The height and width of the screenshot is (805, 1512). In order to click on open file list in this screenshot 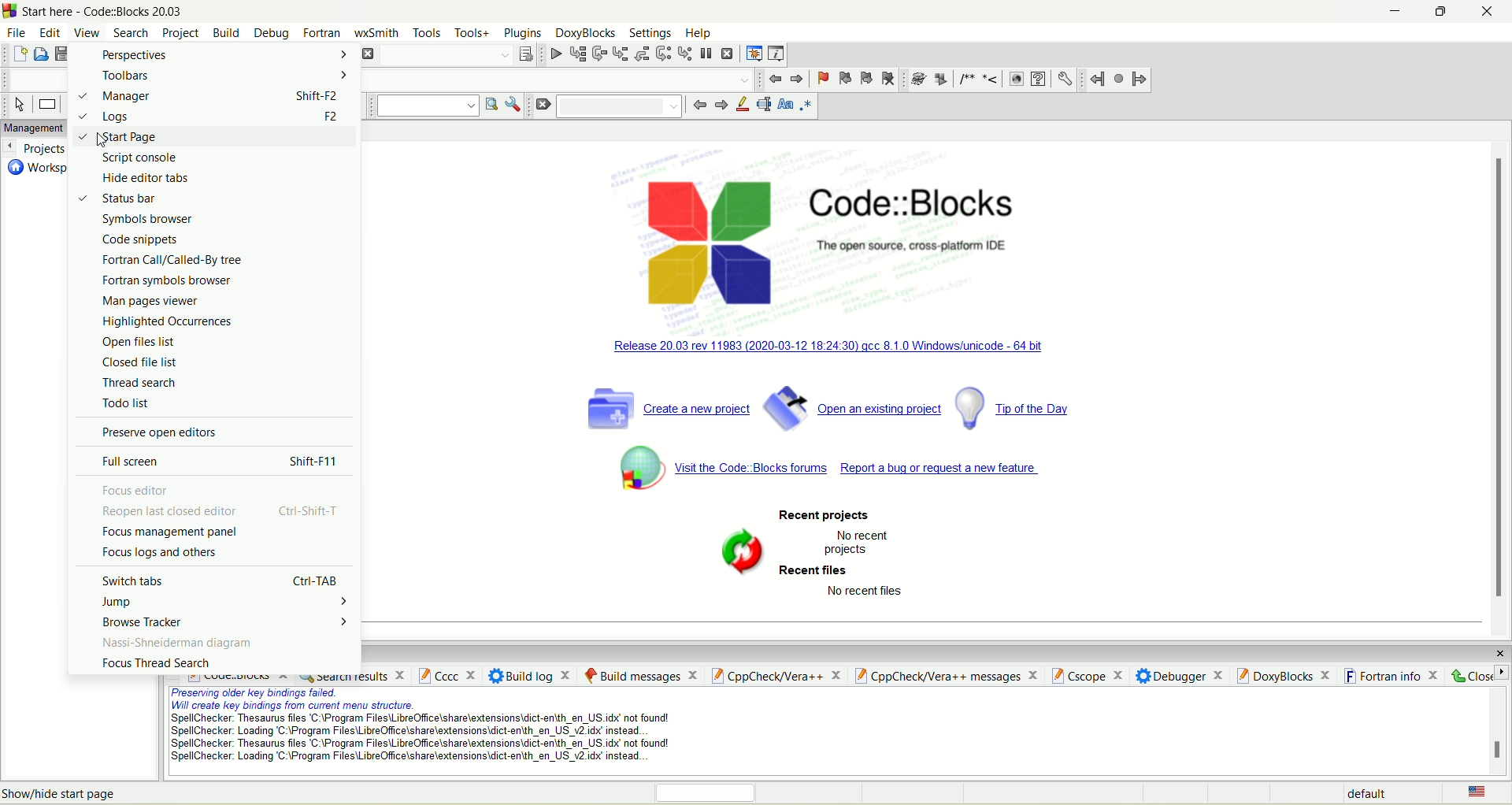, I will do `click(141, 340)`.